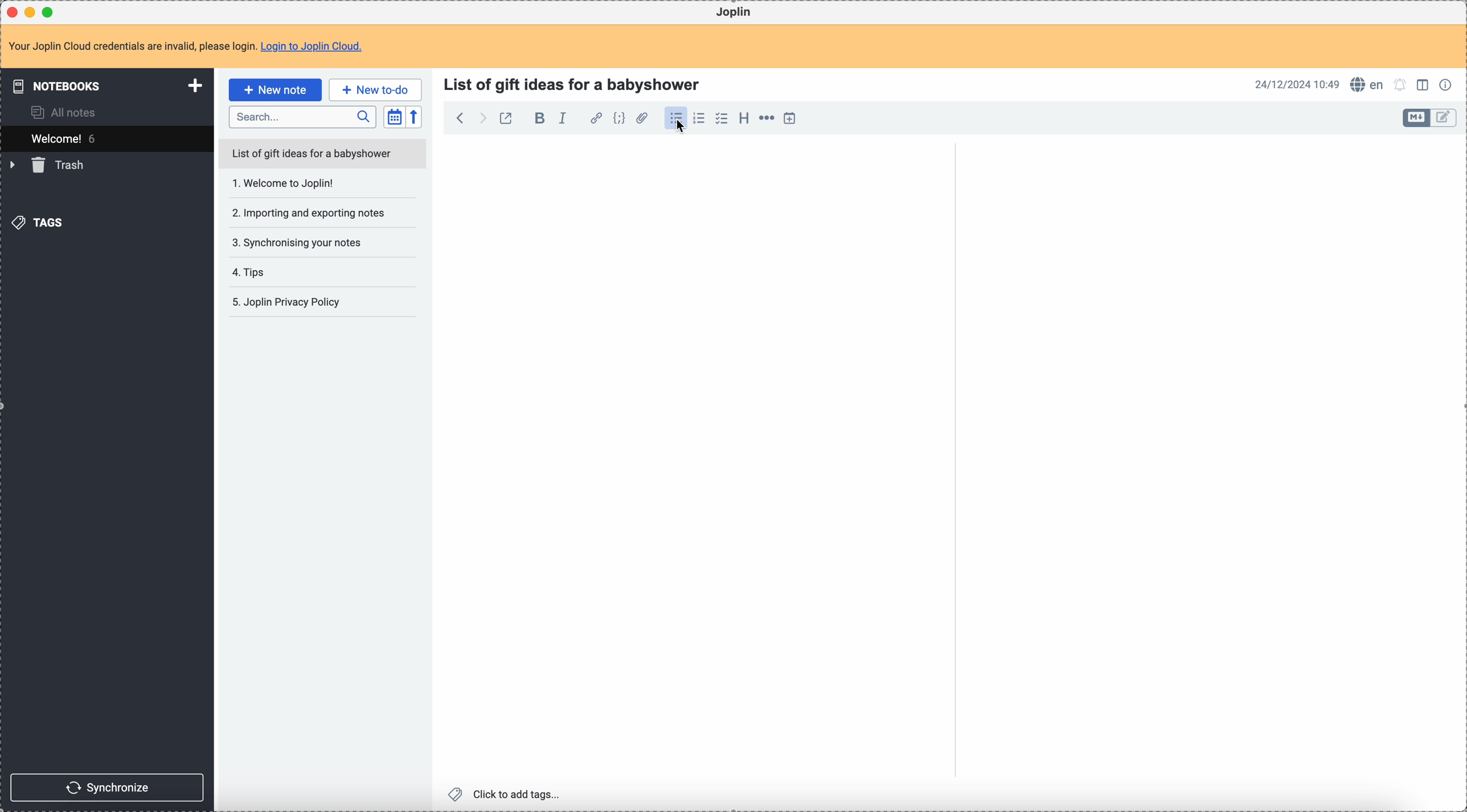 Image resolution: width=1467 pixels, height=812 pixels. Describe the element at coordinates (1444, 118) in the screenshot. I see `toggle edit layout` at that location.